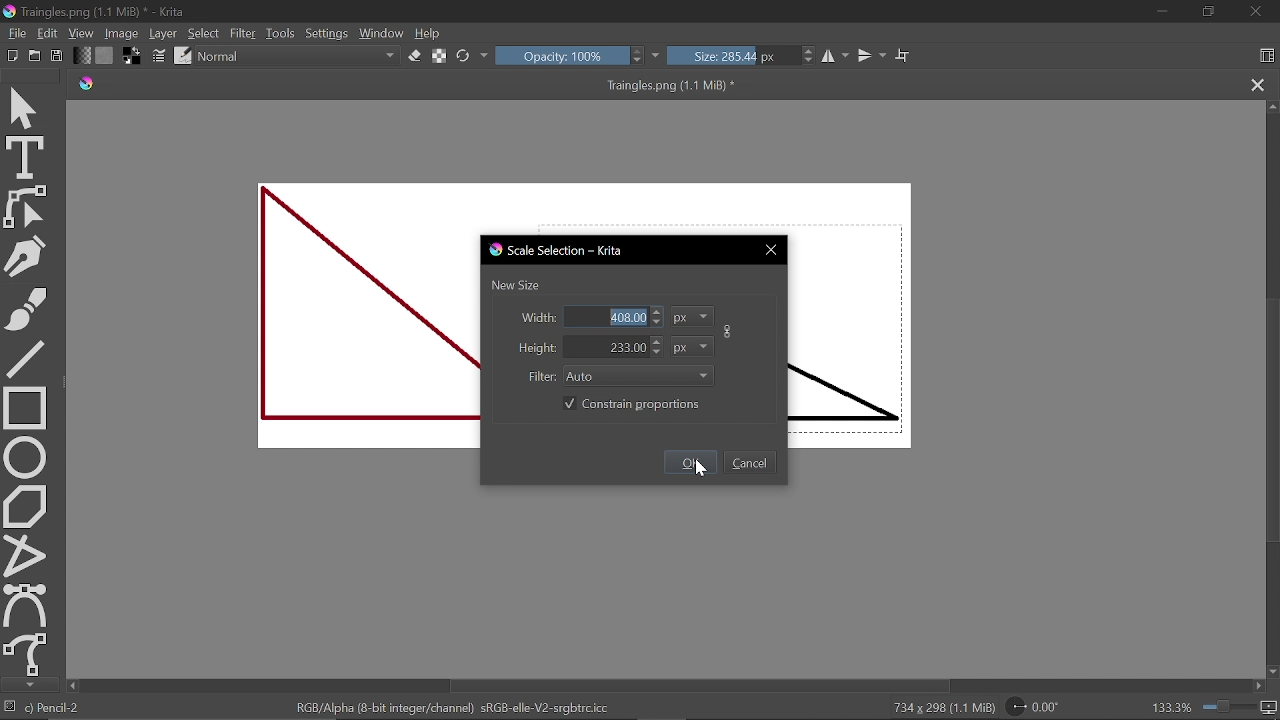 The height and width of the screenshot is (720, 1280). Describe the element at coordinates (872, 56) in the screenshot. I see `Vertical mirror tool` at that location.